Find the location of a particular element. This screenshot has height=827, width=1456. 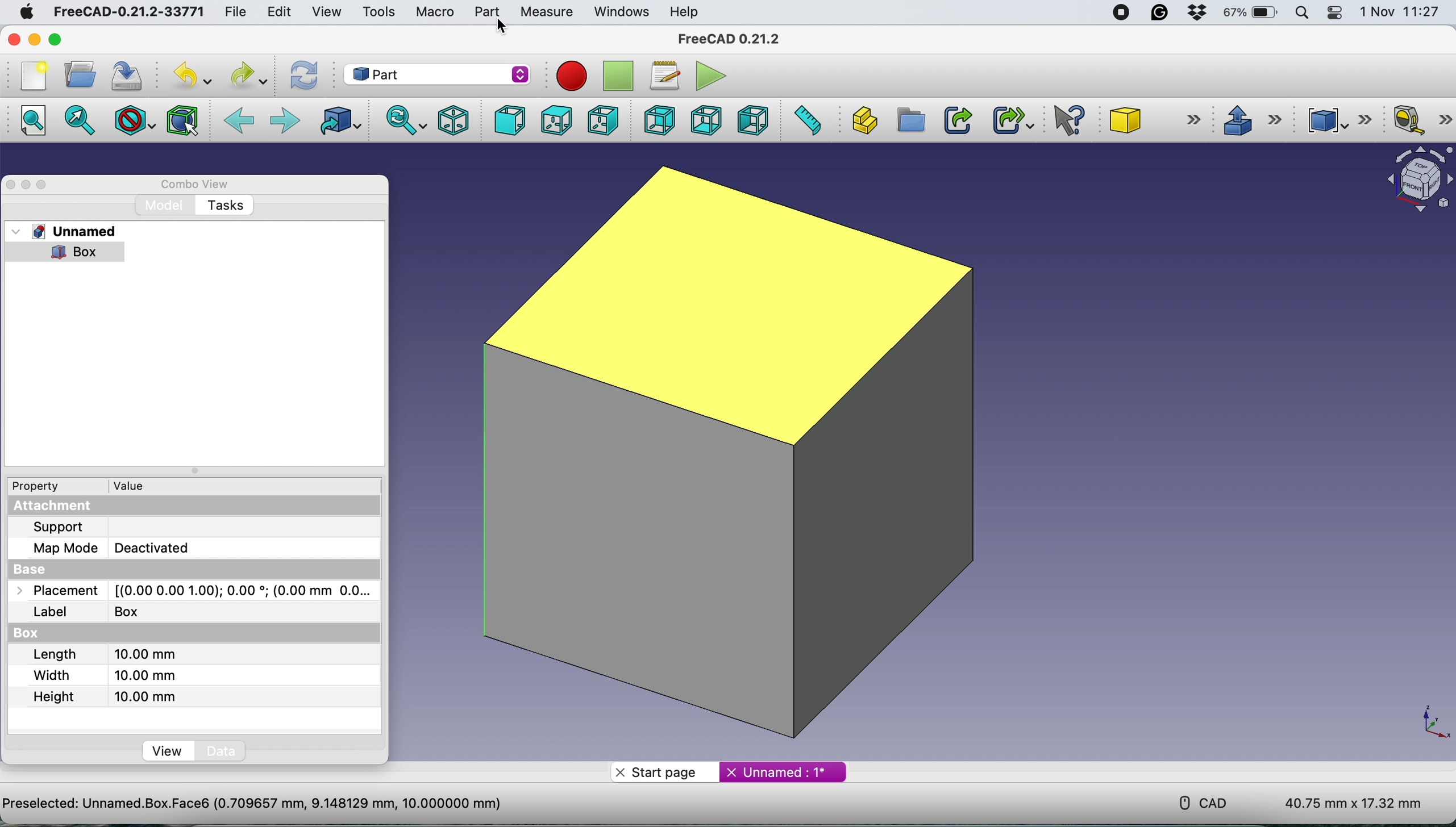

label is located at coordinates (82, 610).